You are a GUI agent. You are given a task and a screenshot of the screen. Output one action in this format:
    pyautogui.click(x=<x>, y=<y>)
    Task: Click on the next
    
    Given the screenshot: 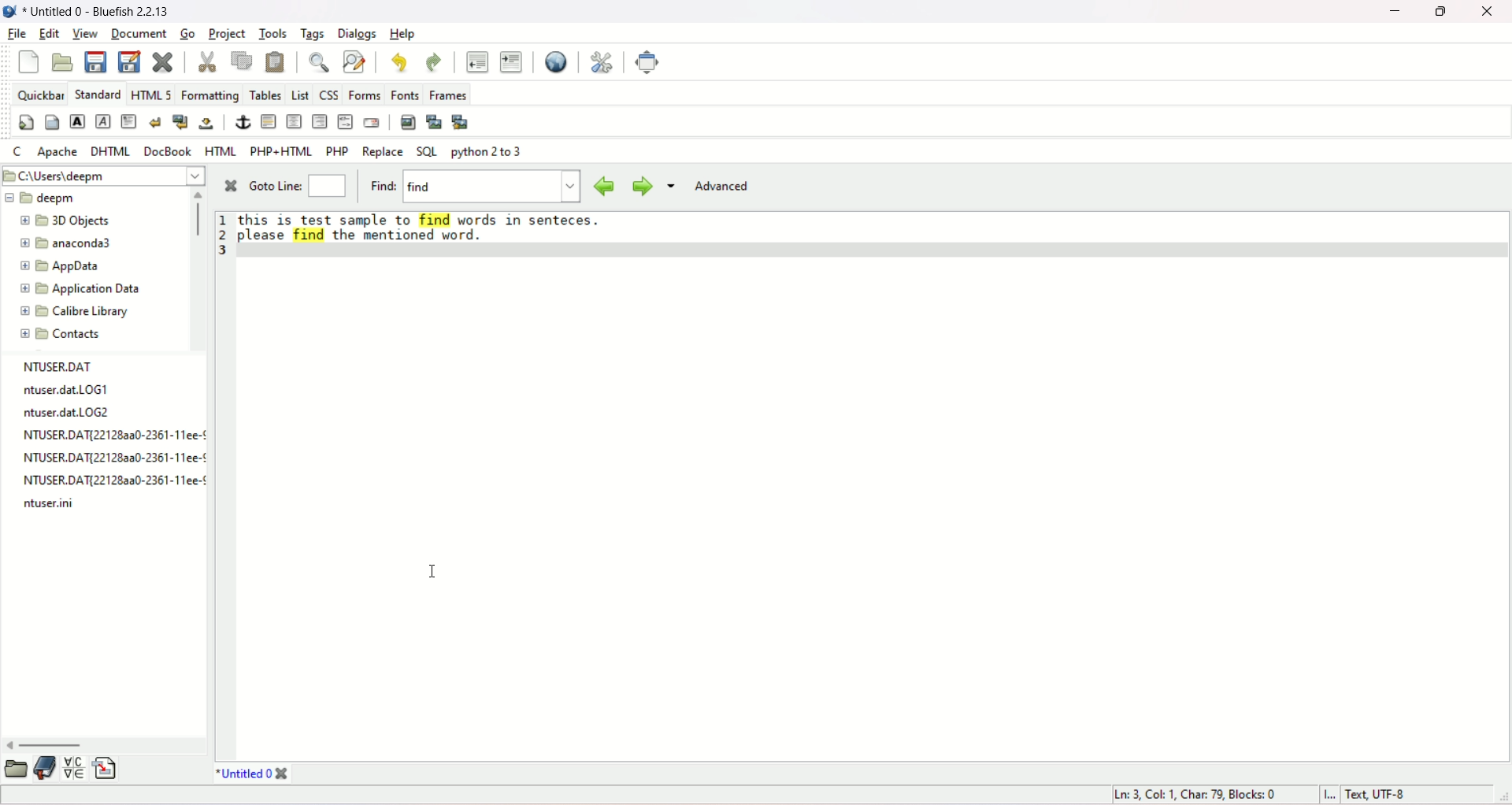 What is the action you would take?
    pyautogui.click(x=640, y=187)
    